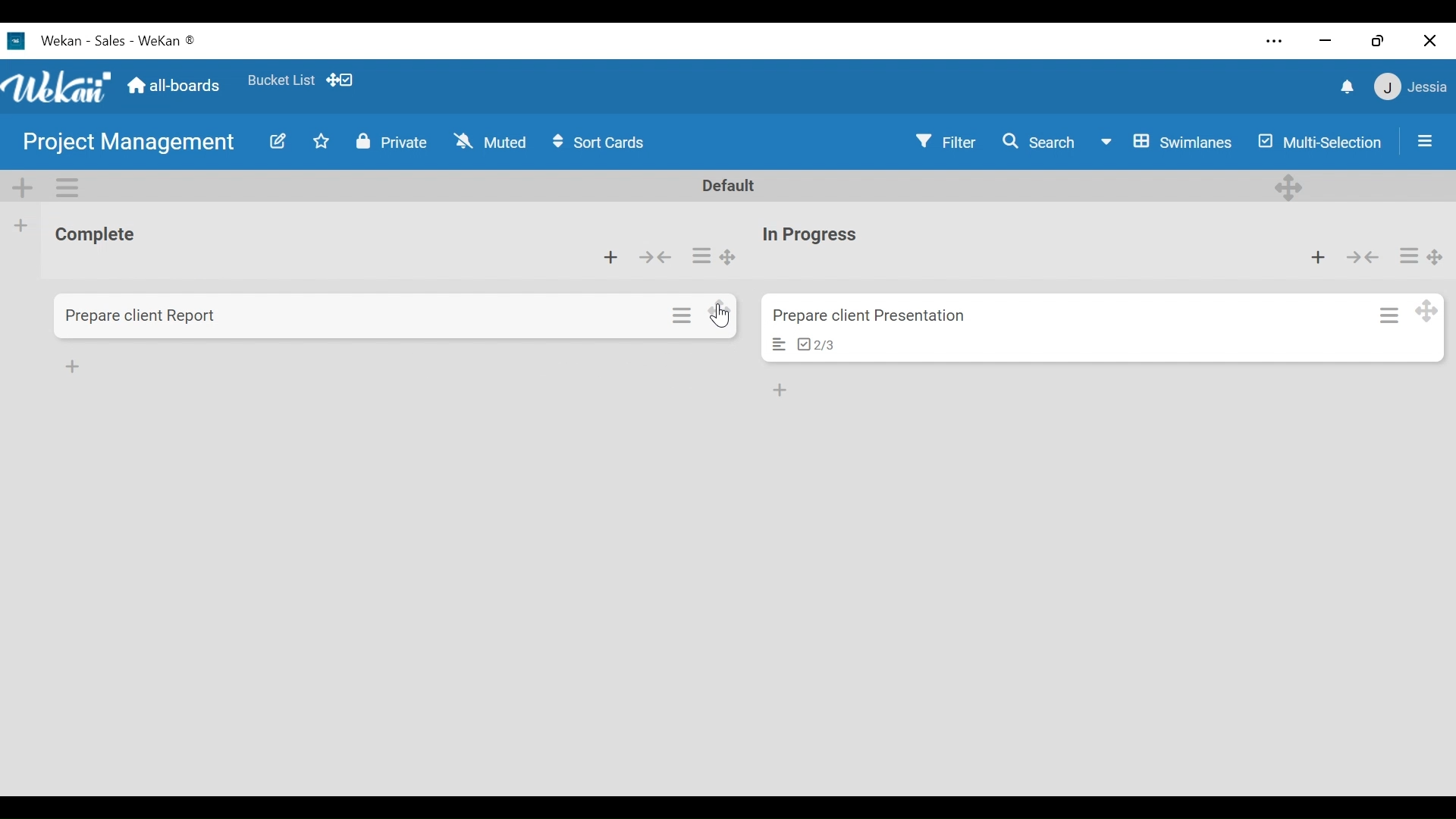  What do you see at coordinates (1268, 39) in the screenshot?
I see `Settings and more` at bounding box center [1268, 39].